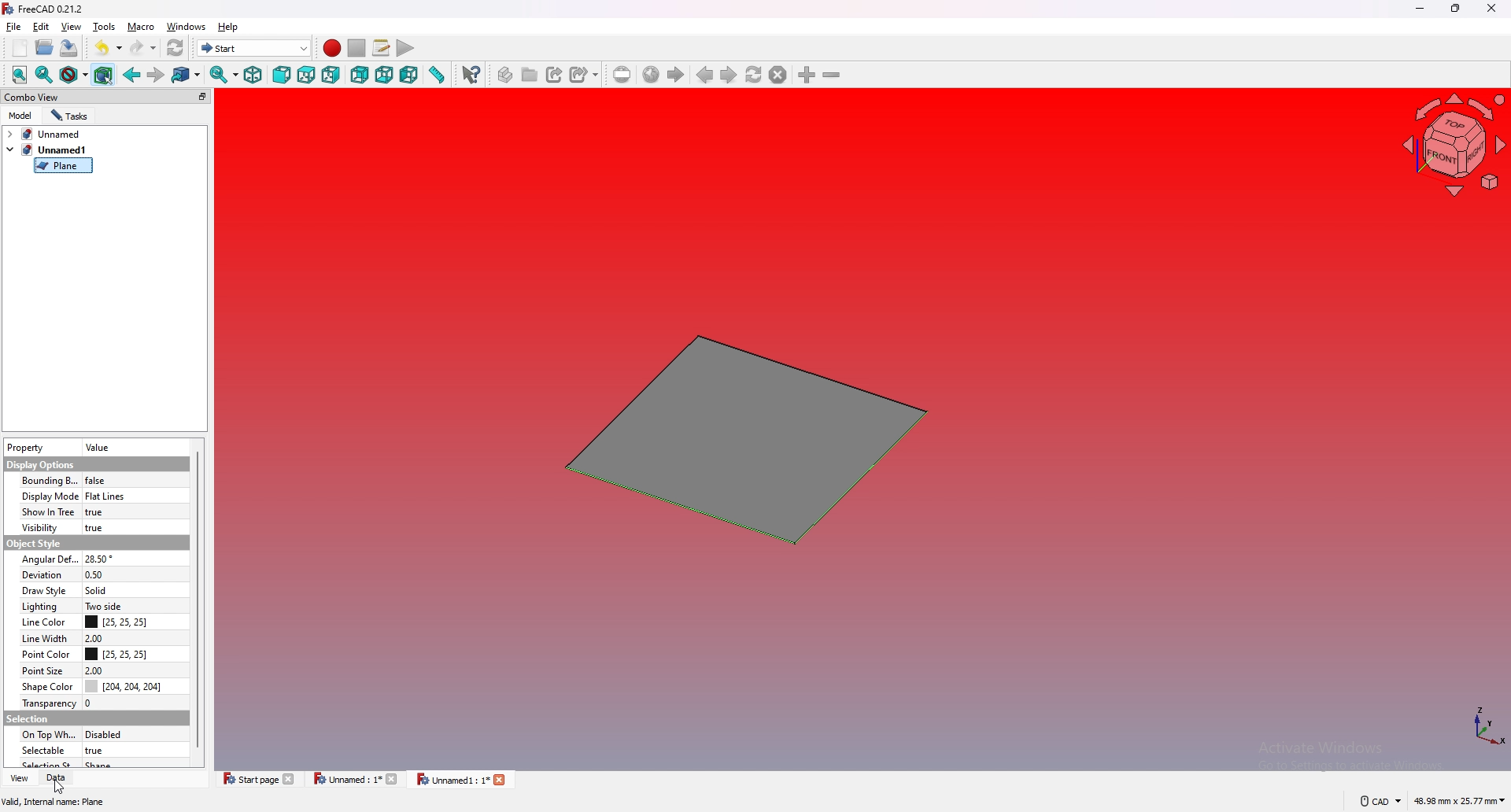 Image resolution: width=1511 pixels, height=812 pixels. Describe the element at coordinates (97, 575) in the screenshot. I see `0.50` at that location.